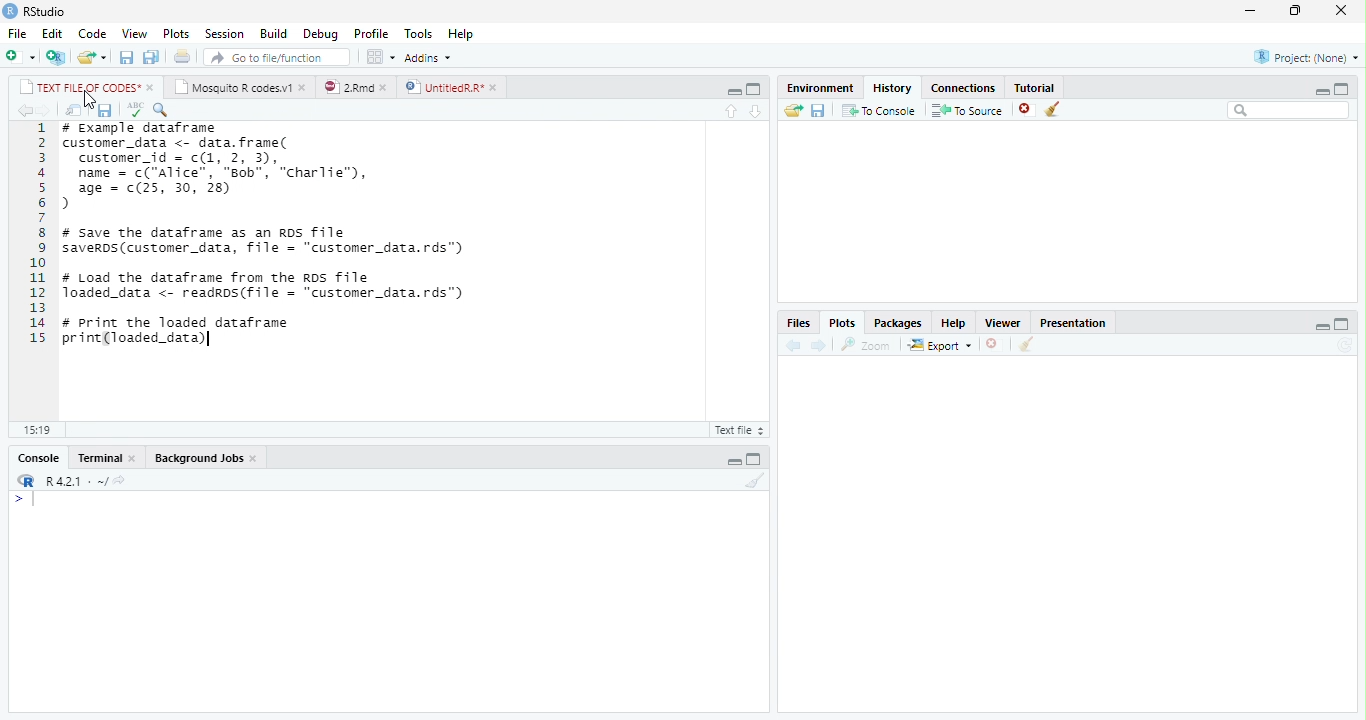  What do you see at coordinates (162, 110) in the screenshot?
I see `search` at bounding box center [162, 110].